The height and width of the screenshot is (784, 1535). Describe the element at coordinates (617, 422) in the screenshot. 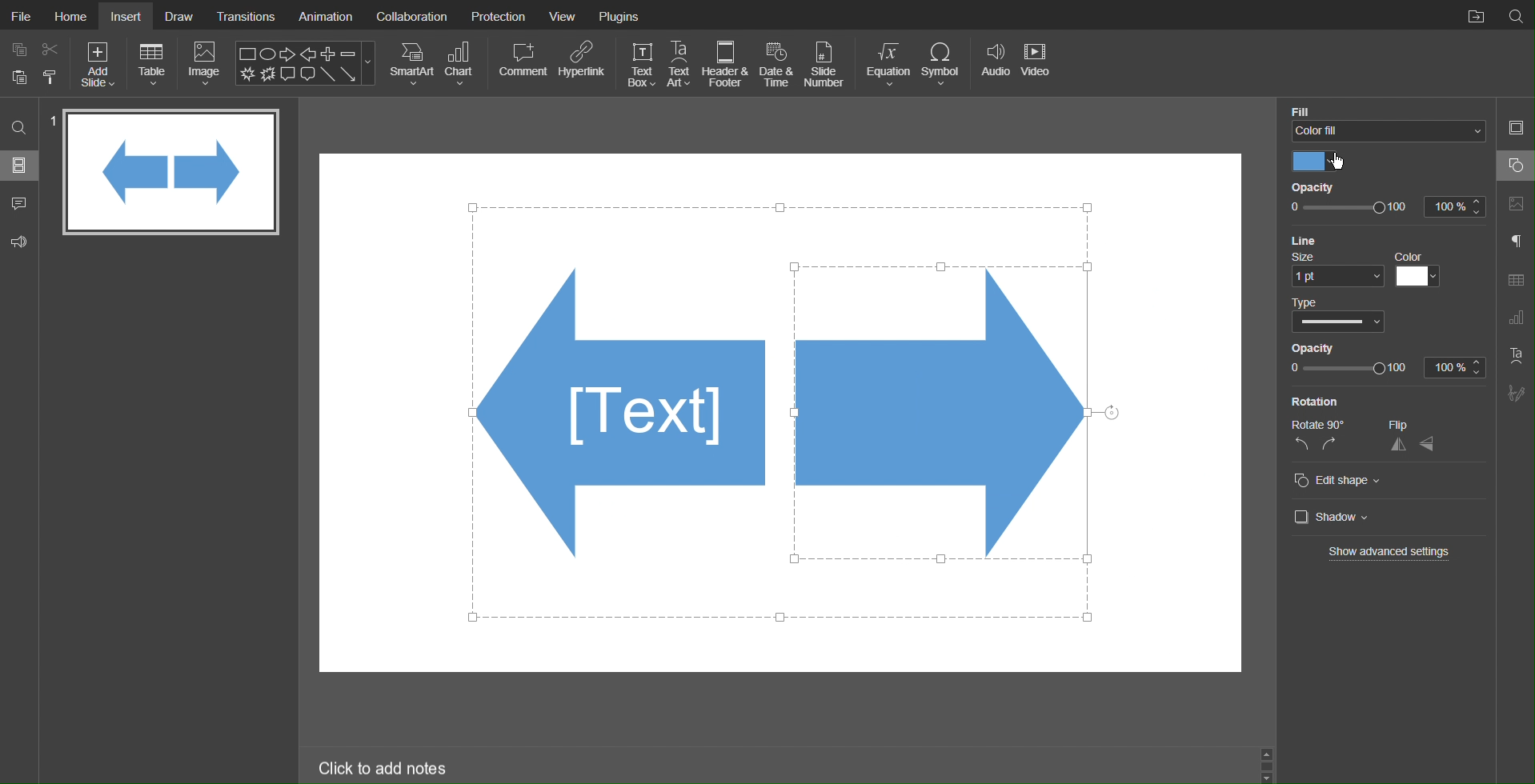

I see `Shapes` at that location.